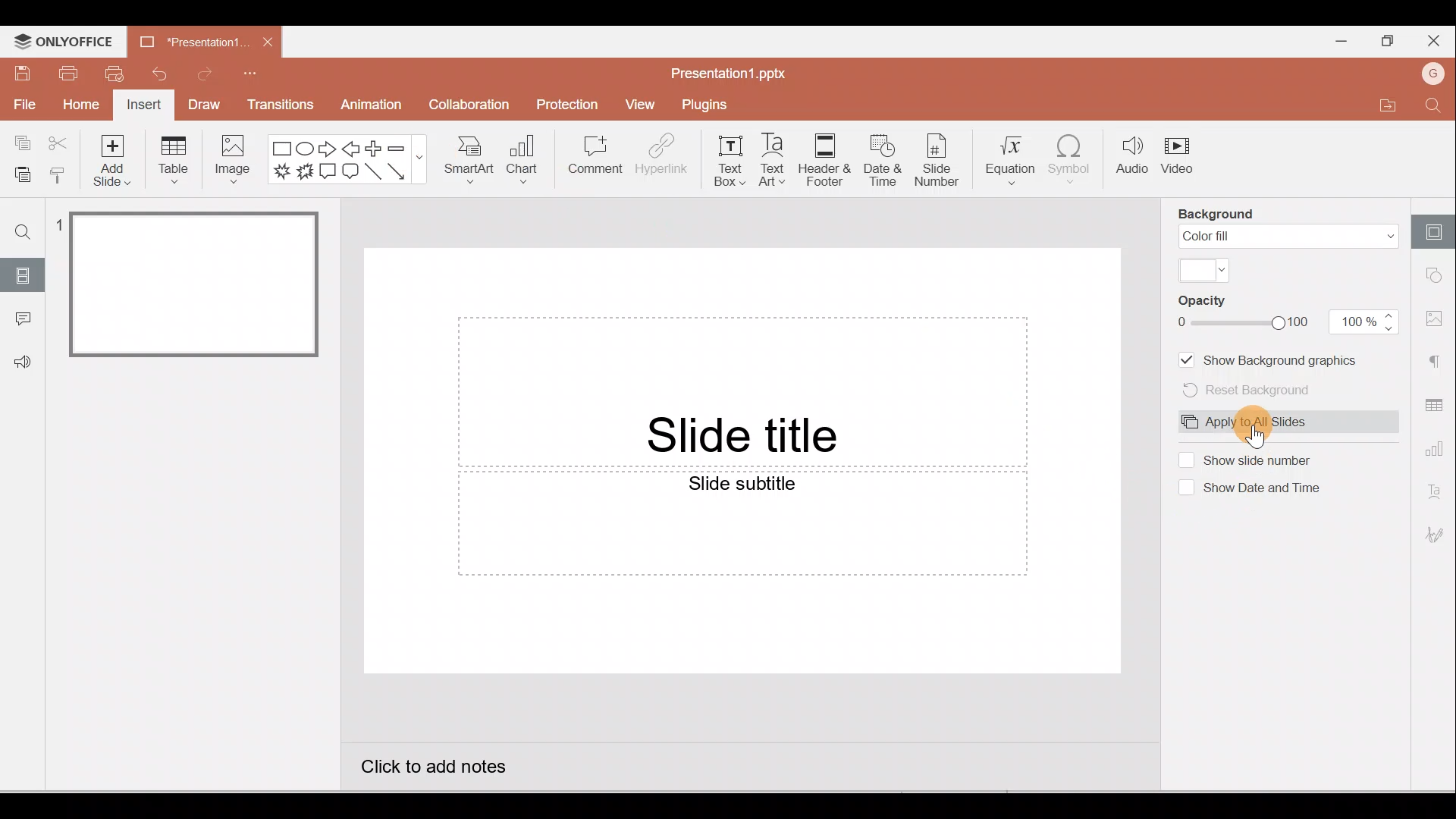 The width and height of the screenshot is (1456, 819). What do you see at coordinates (1384, 41) in the screenshot?
I see `Maximise` at bounding box center [1384, 41].